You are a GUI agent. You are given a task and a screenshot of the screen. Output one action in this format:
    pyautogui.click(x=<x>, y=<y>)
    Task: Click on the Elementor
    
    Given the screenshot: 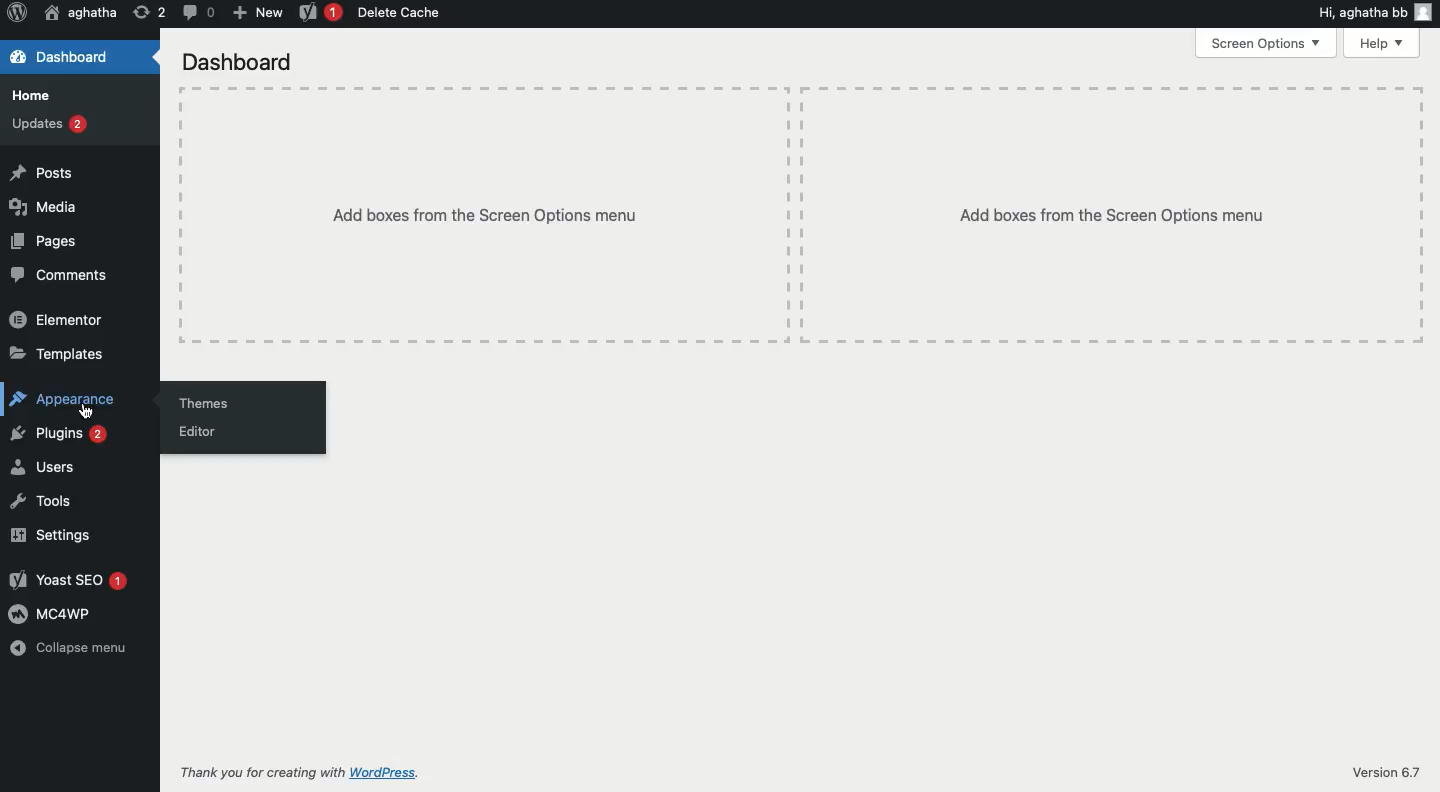 What is the action you would take?
    pyautogui.click(x=54, y=318)
    